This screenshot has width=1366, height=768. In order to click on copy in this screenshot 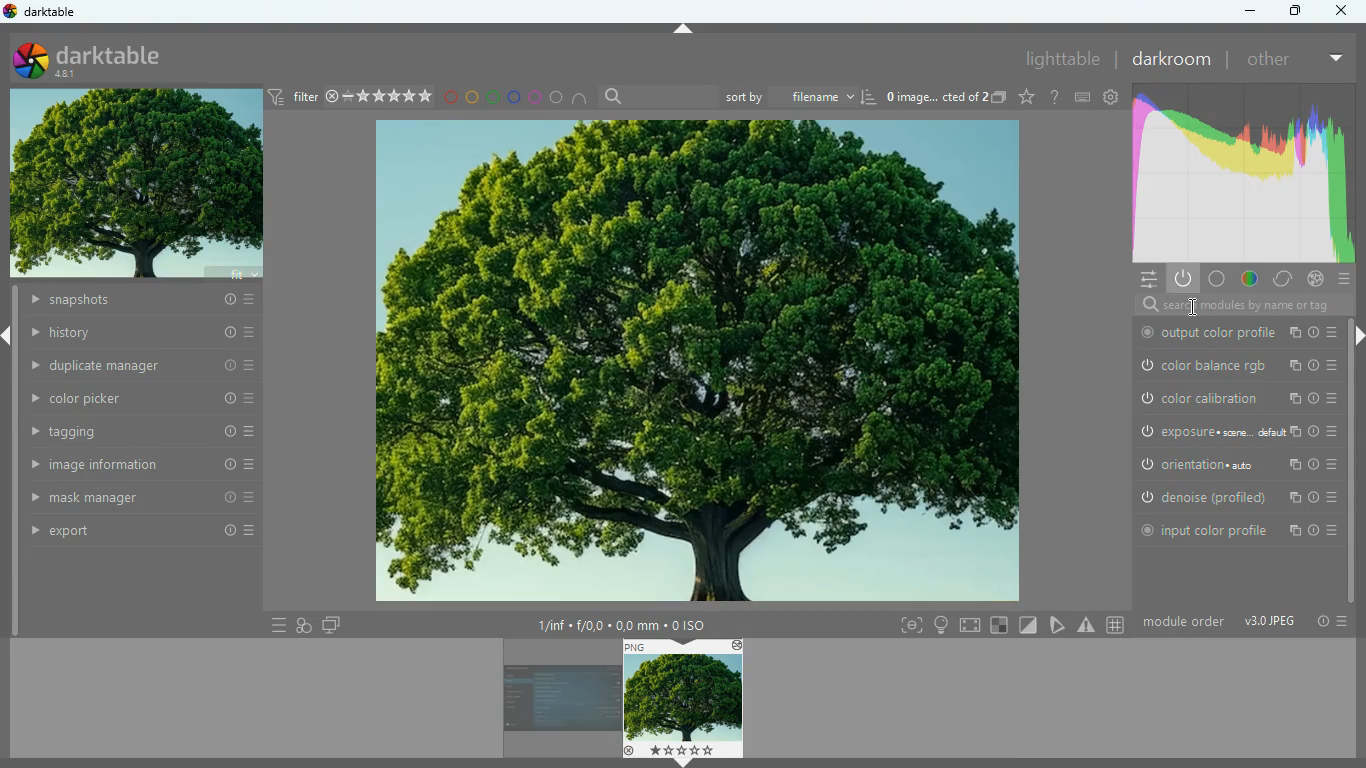, I will do `click(999, 98)`.